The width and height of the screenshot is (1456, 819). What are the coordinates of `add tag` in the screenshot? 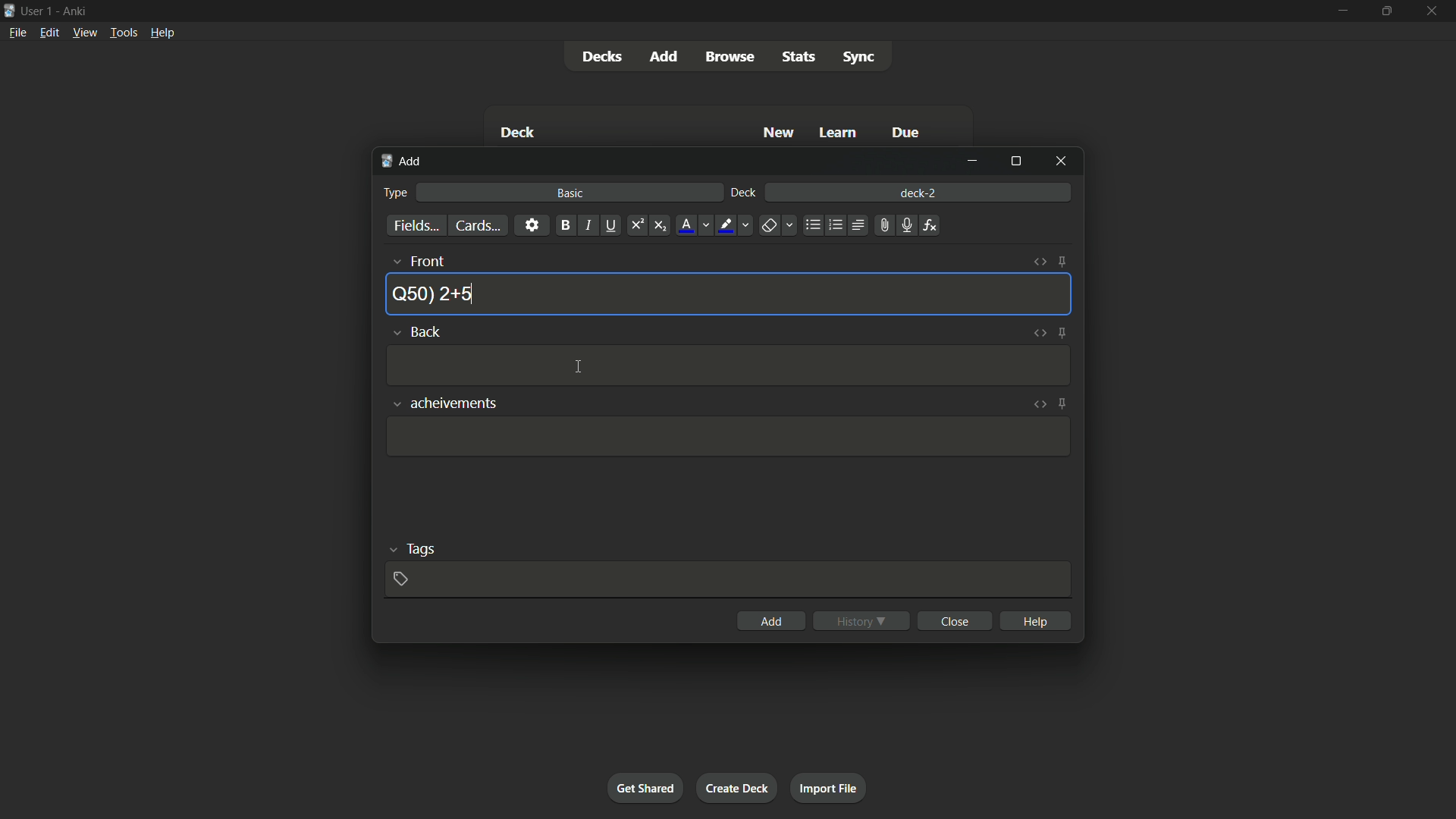 It's located at (399, 579).